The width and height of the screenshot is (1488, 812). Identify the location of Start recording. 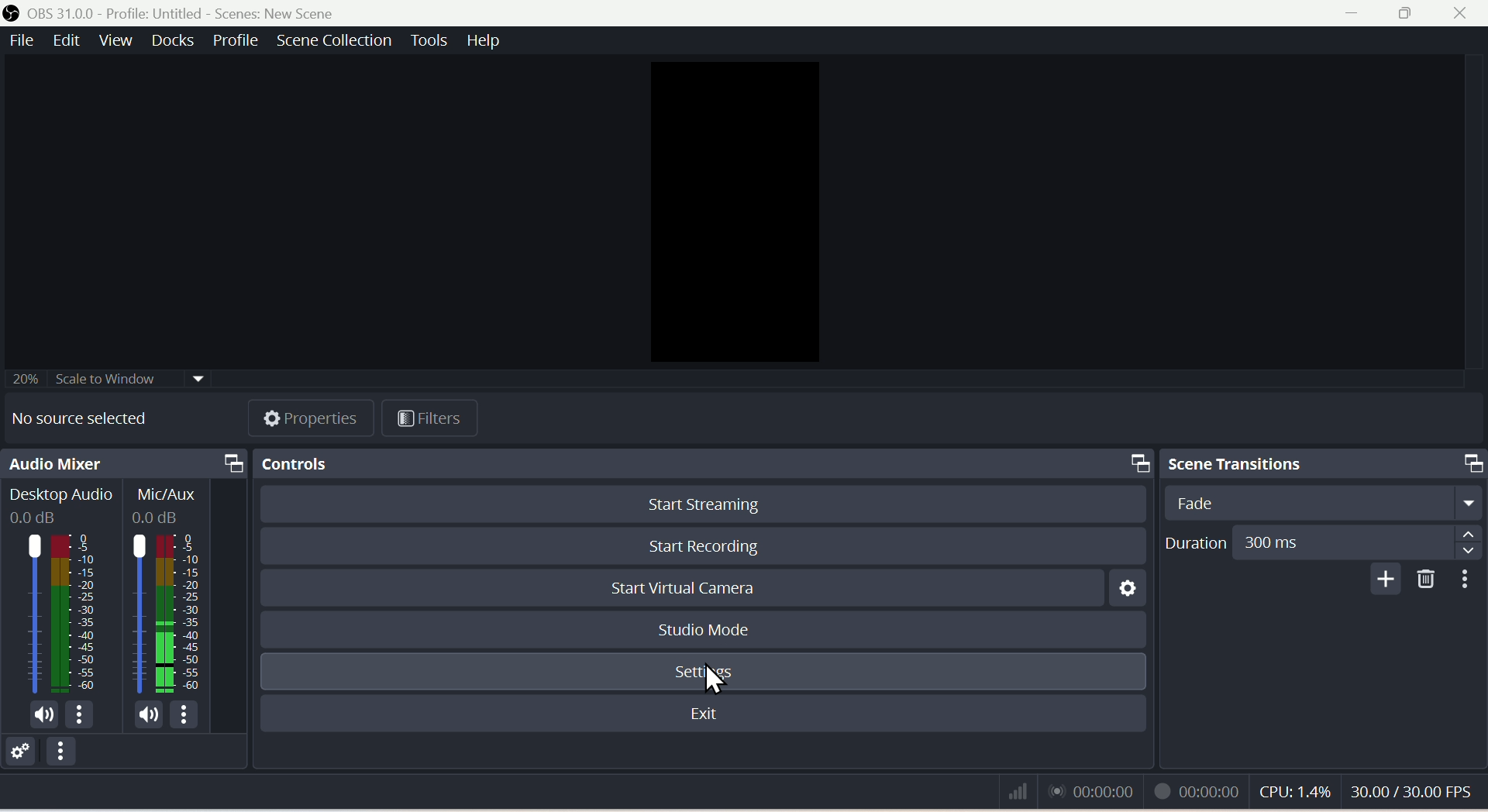
(701, 546).